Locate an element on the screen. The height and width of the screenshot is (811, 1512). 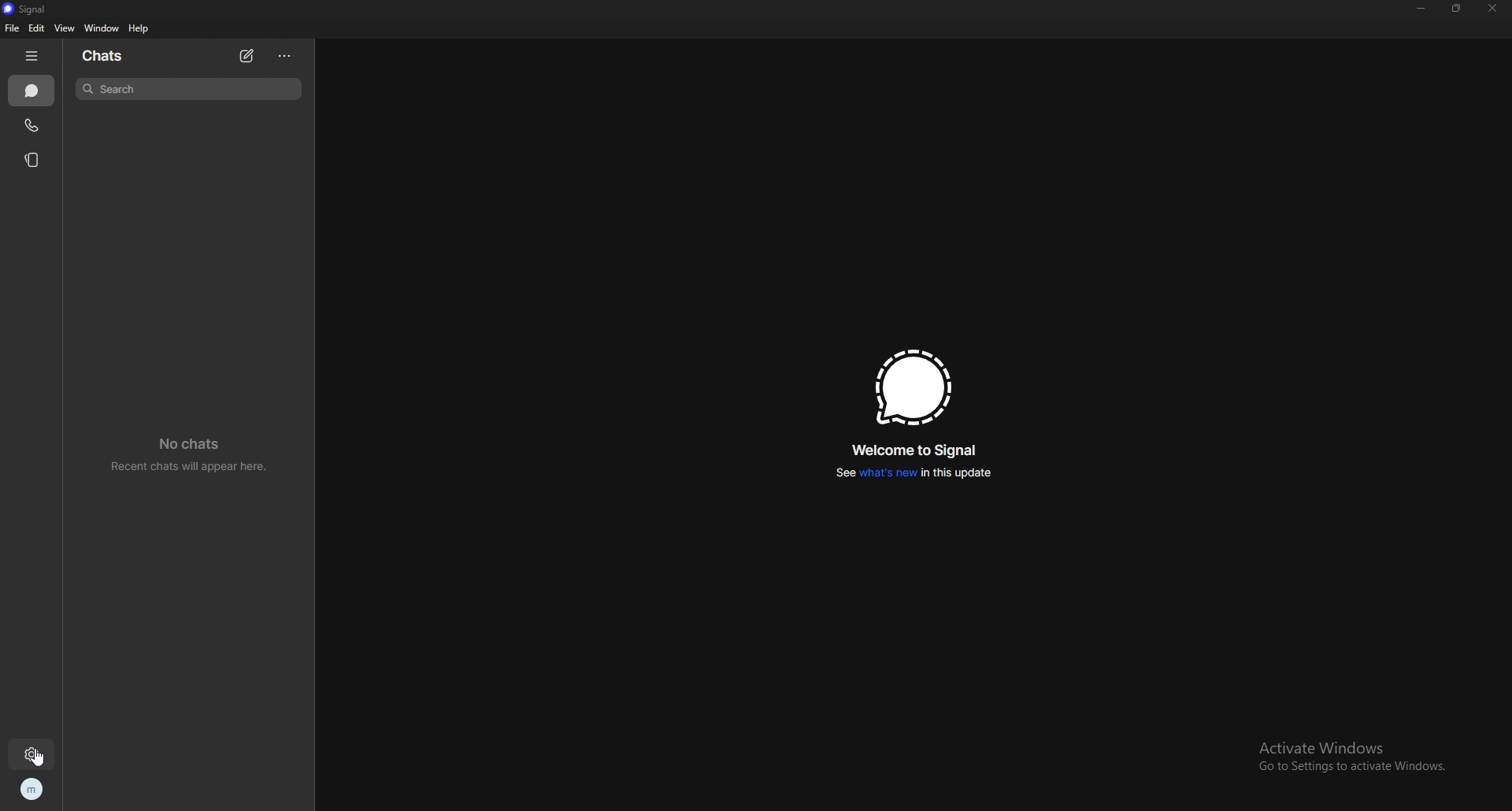
minimize is located at coordinates (1421, 9).